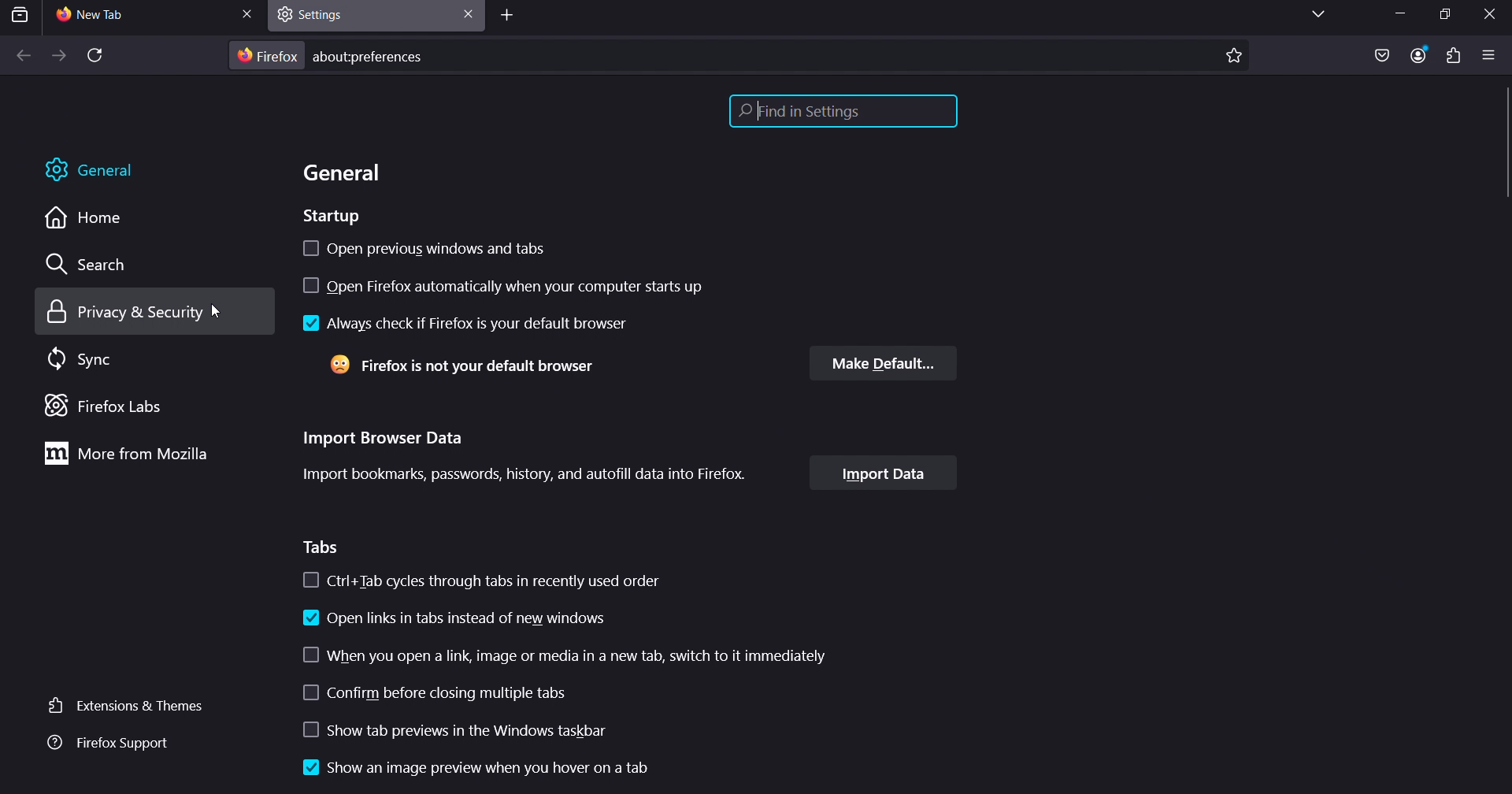 The width and height of the screenshot is (1512, 794). What do you see at coordinates (1234, 54) in the screenshot?
I see `bookmark` at bounding box center [1234, 54].